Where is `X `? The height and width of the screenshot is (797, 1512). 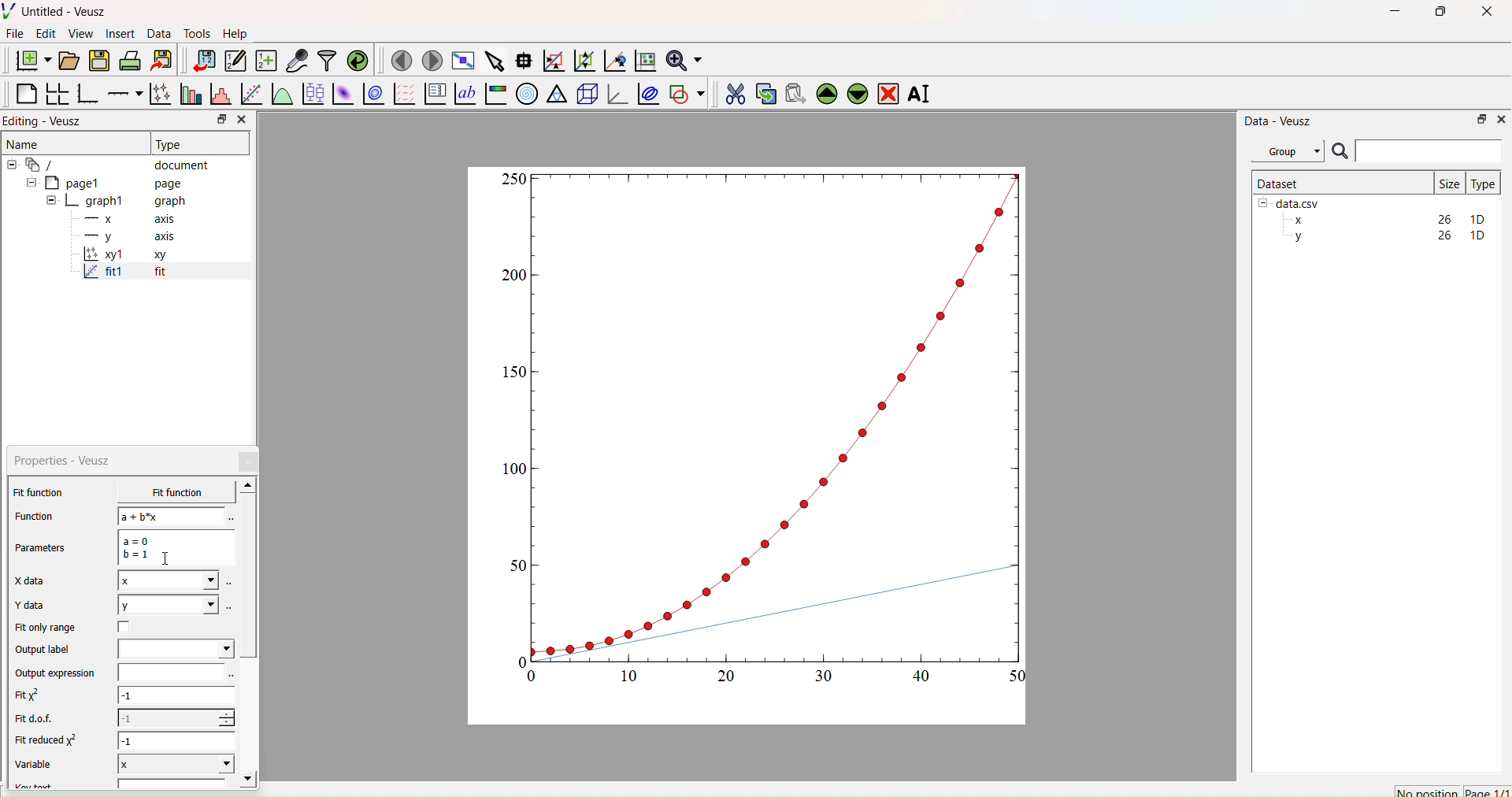 X  is located at coordinates (176, 762).